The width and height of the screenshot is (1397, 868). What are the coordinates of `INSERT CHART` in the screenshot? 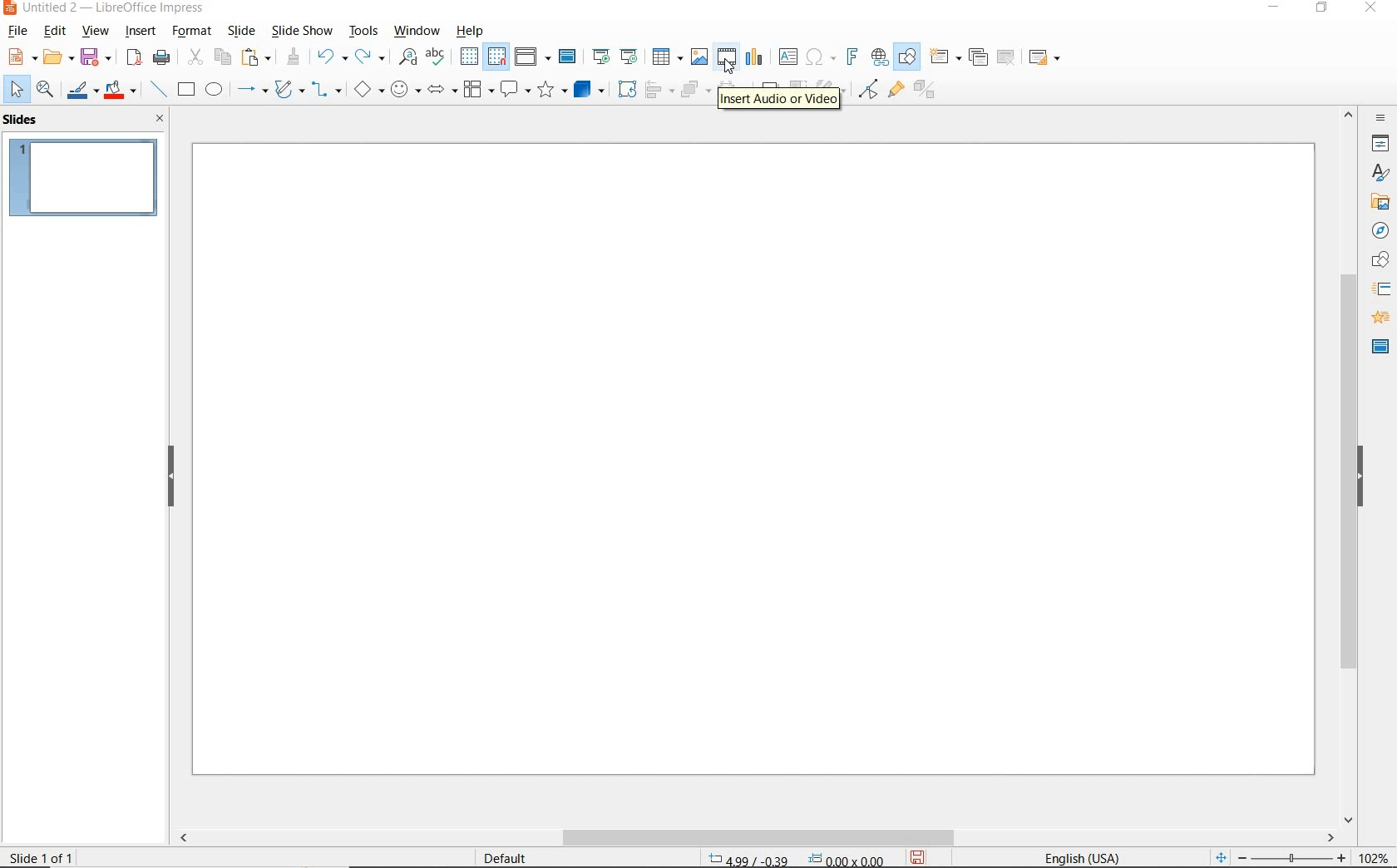 It's located at (756, 57).